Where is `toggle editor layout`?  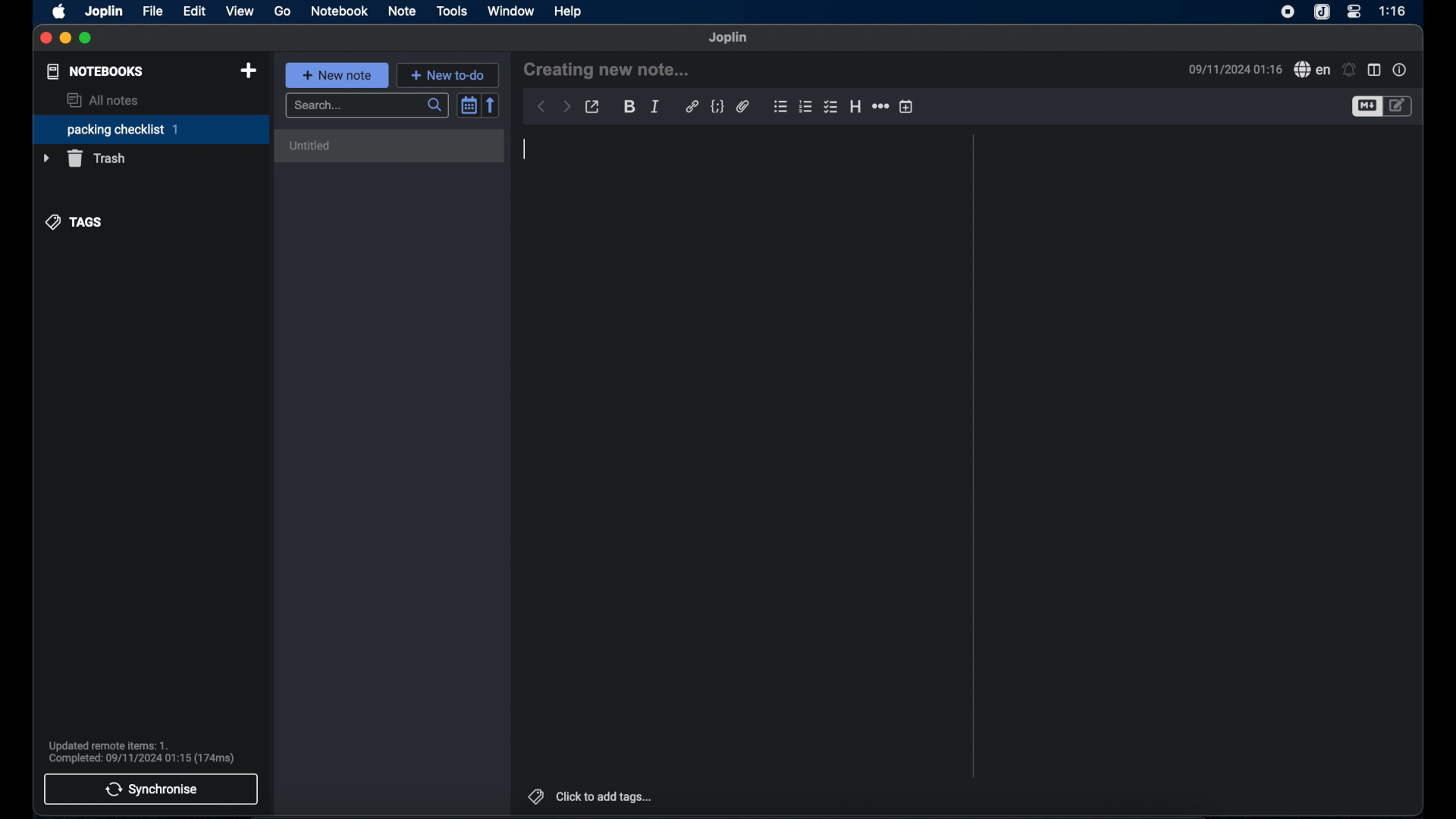 toggle editor layout is located at coordinates (1375, 69).